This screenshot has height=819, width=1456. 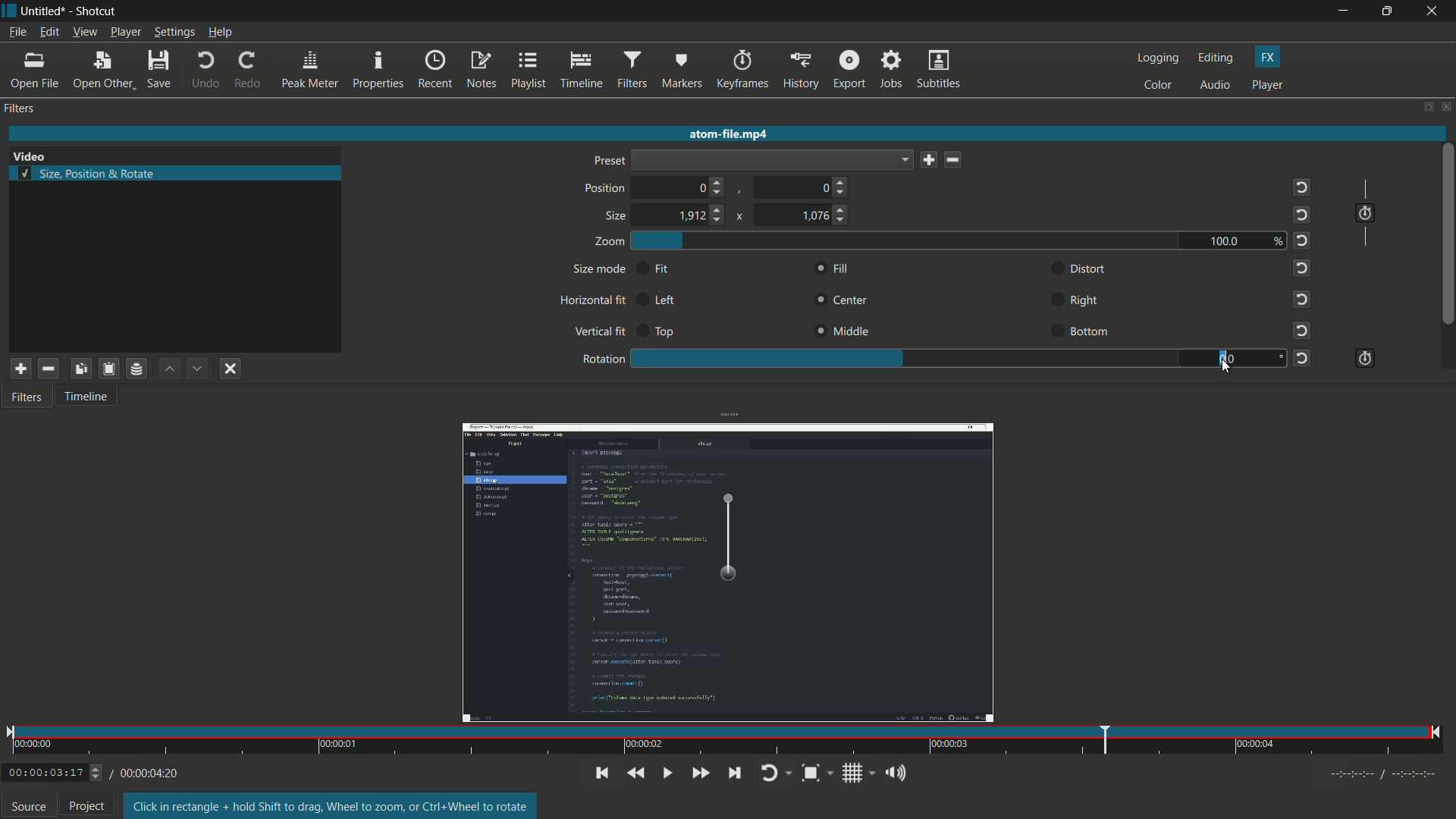 I want to click on save filter set, so click(x=136, y=370).